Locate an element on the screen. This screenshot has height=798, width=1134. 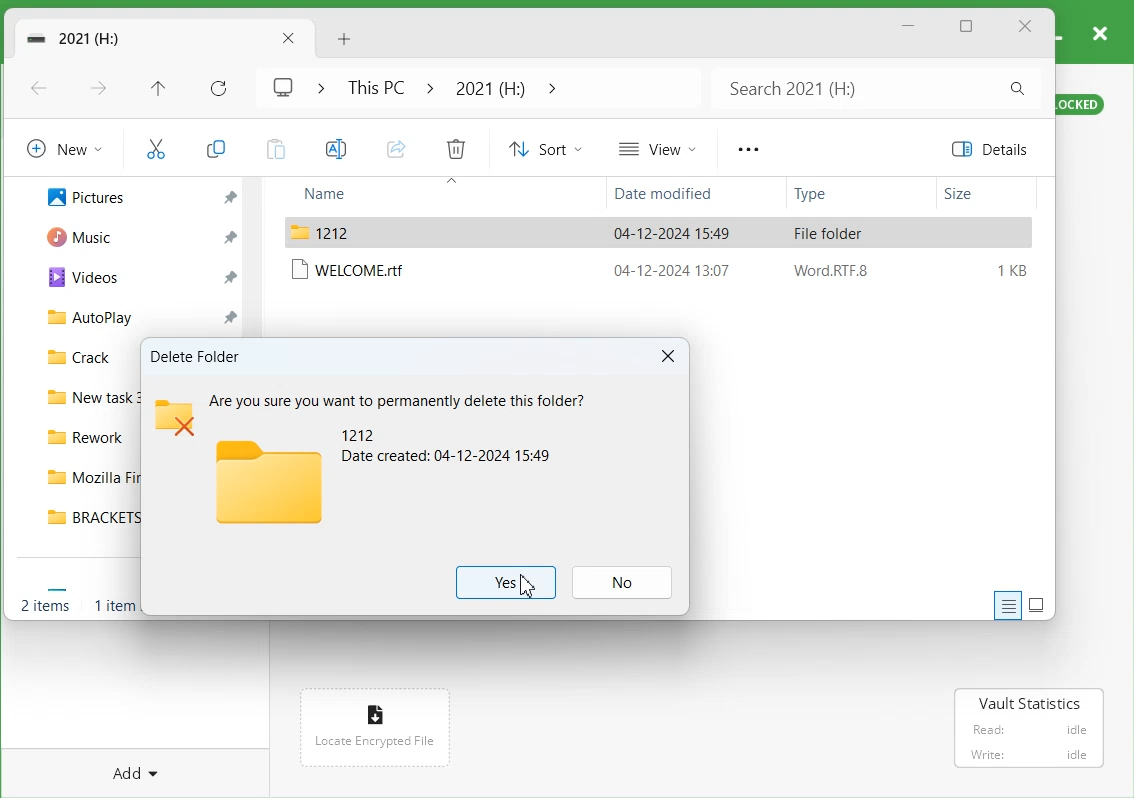
Videos is located at coordinates (82, 278).